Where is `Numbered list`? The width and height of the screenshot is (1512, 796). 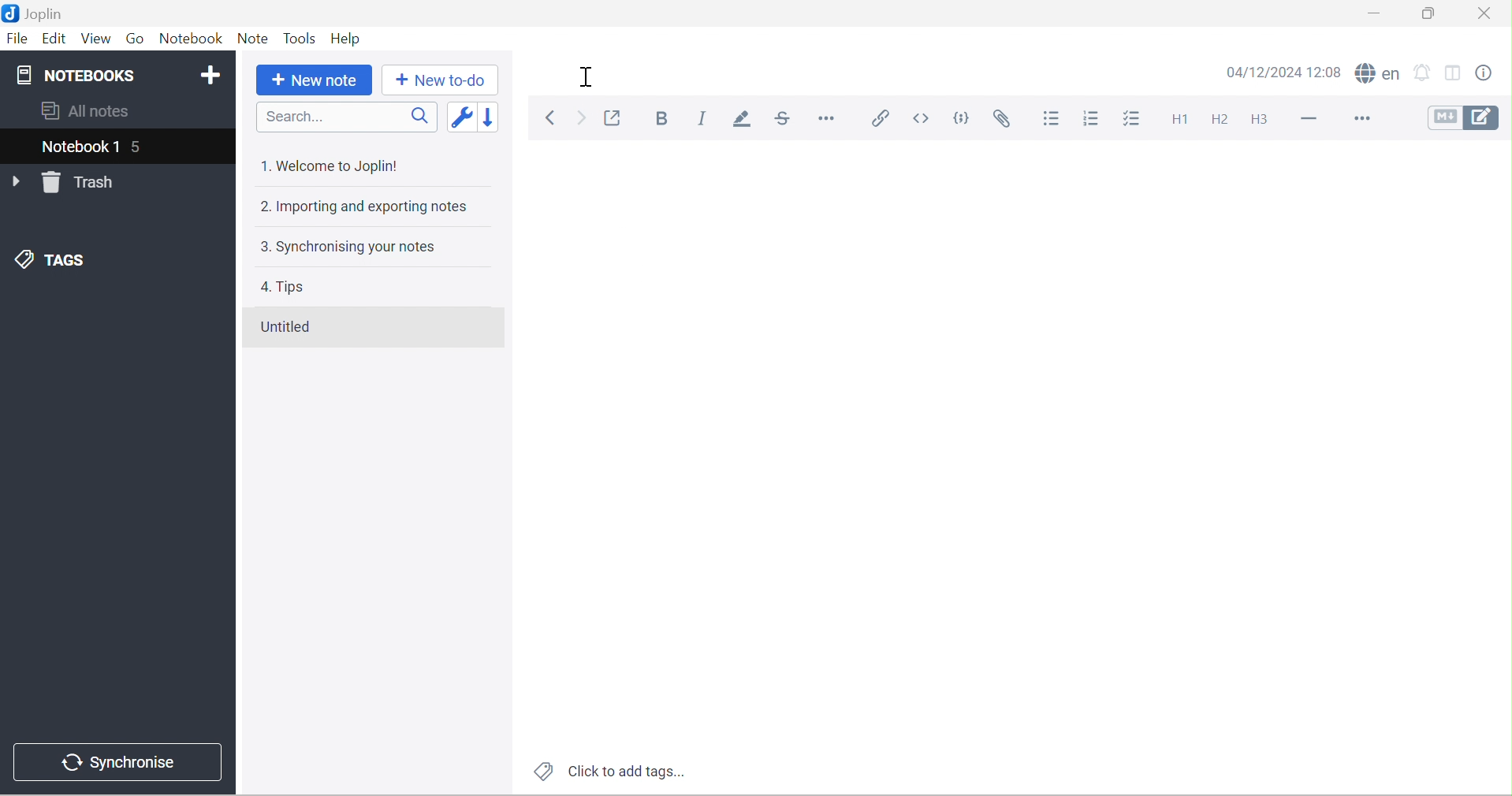
Numbered list is located at coordinates (1090, 120).